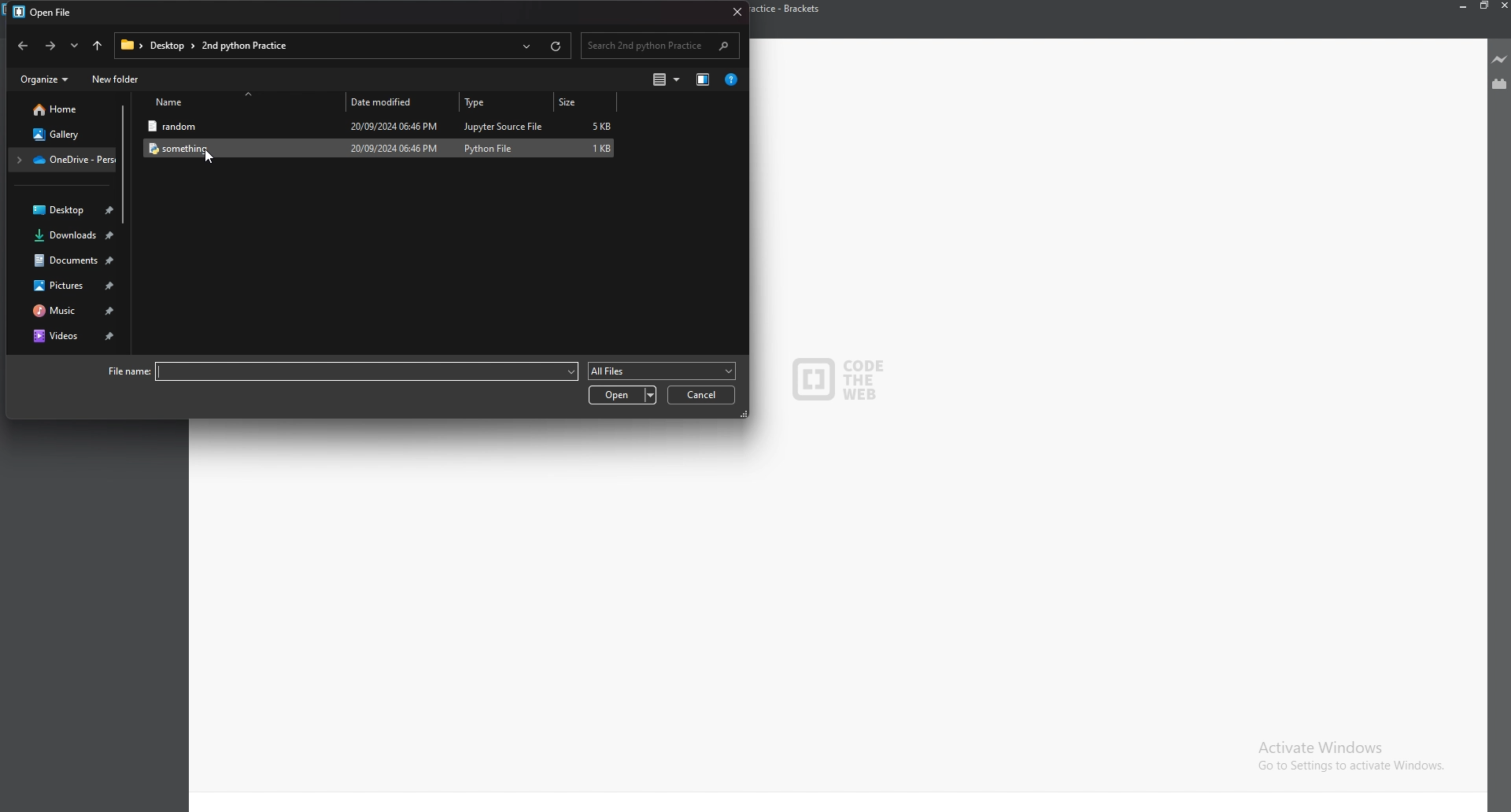 The height and width of the screenshot is (812, 1511). Describe the element at coordinates (1483, 6) in the screenshot. I see `resize` at that location.